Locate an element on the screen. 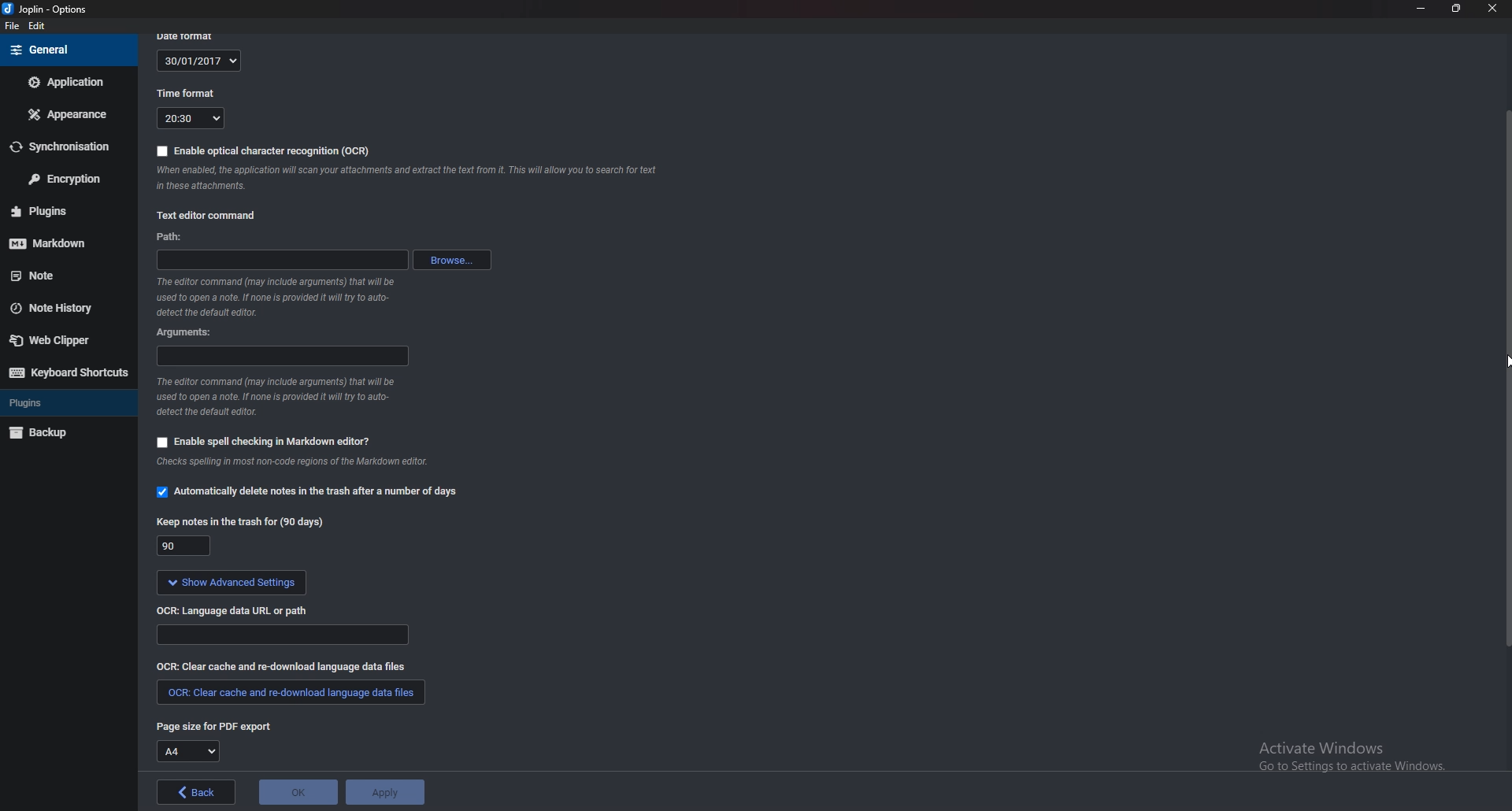 The width and height of the screenshot is (1512, 811). Application is located at coordinates (68, 82).